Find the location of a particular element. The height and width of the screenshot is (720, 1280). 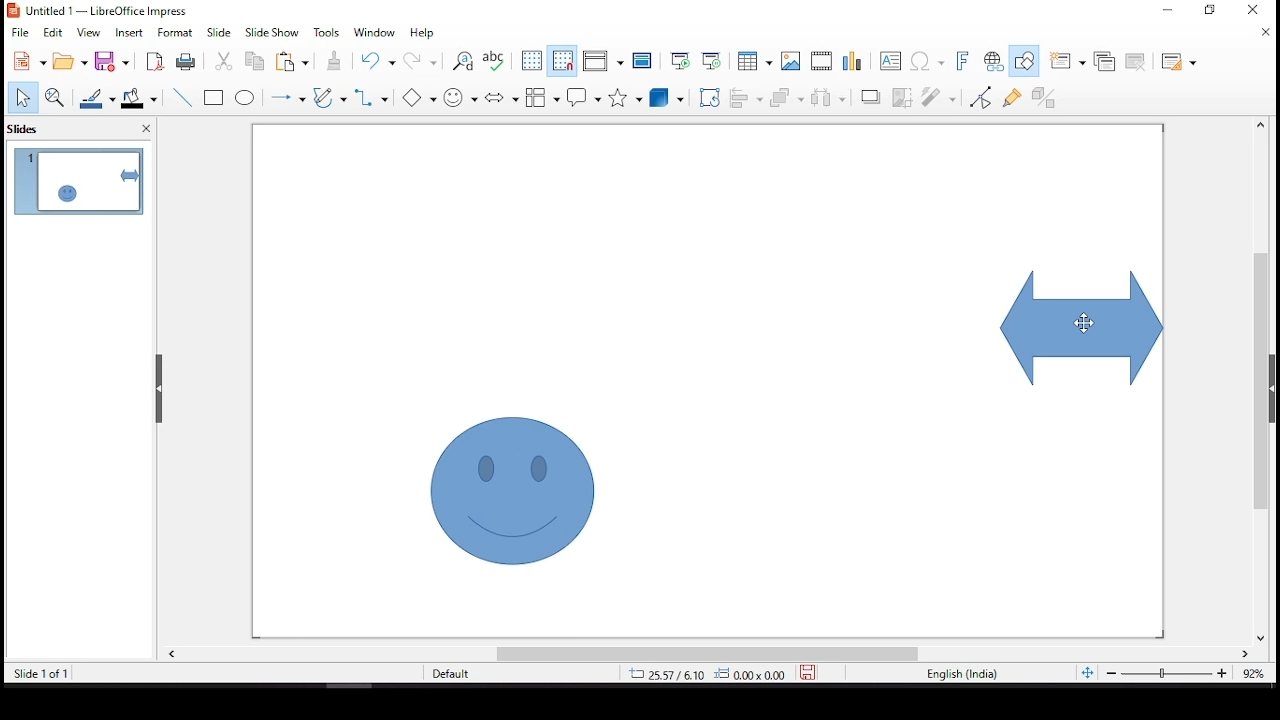

drag handle is located at coordinates (161, 389).